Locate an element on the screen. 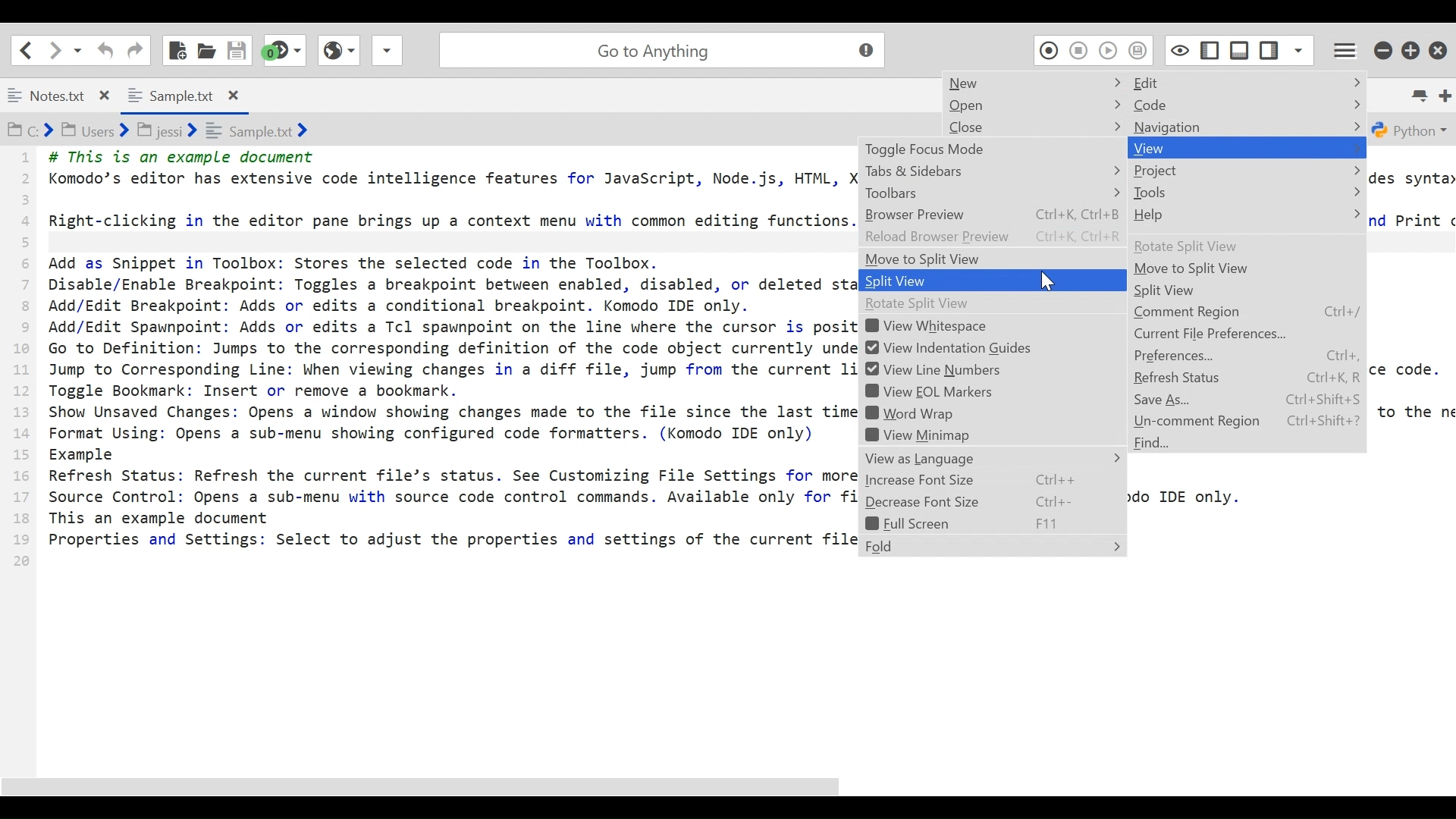  Open File is located at coordinates (206, 49).